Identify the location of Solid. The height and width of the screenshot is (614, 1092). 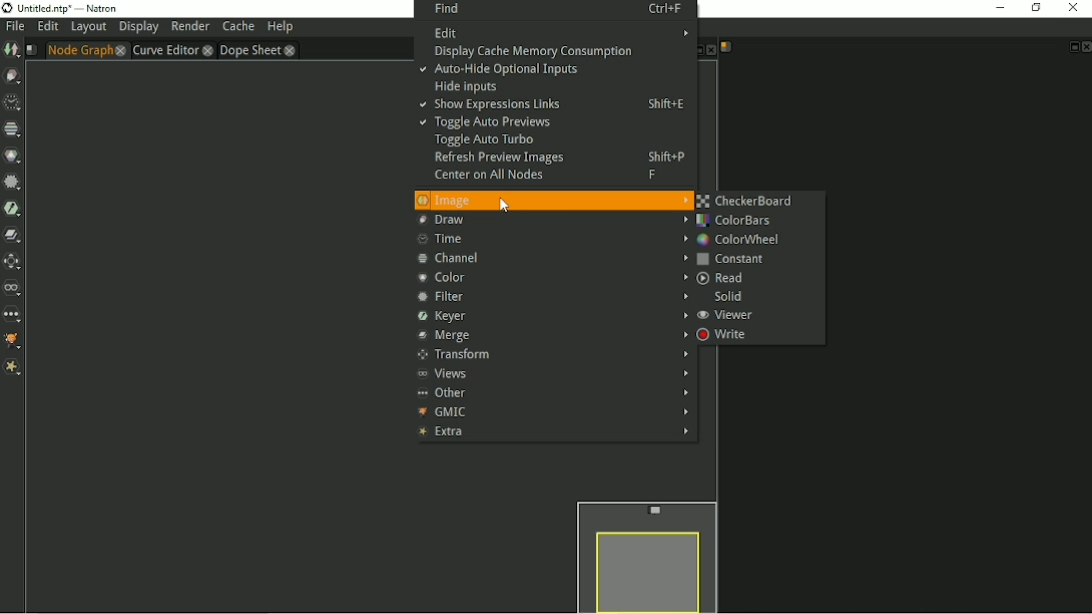
(726, 298).